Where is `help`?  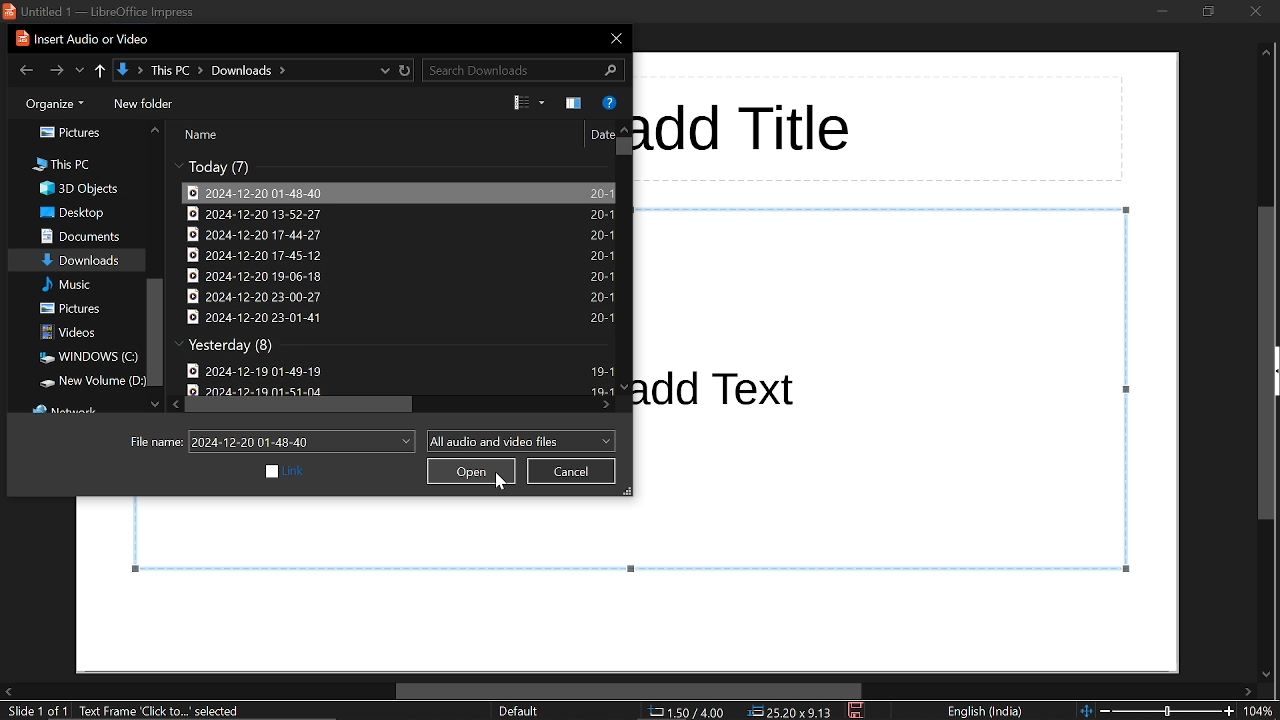 help is located at coordinates (611, 101).